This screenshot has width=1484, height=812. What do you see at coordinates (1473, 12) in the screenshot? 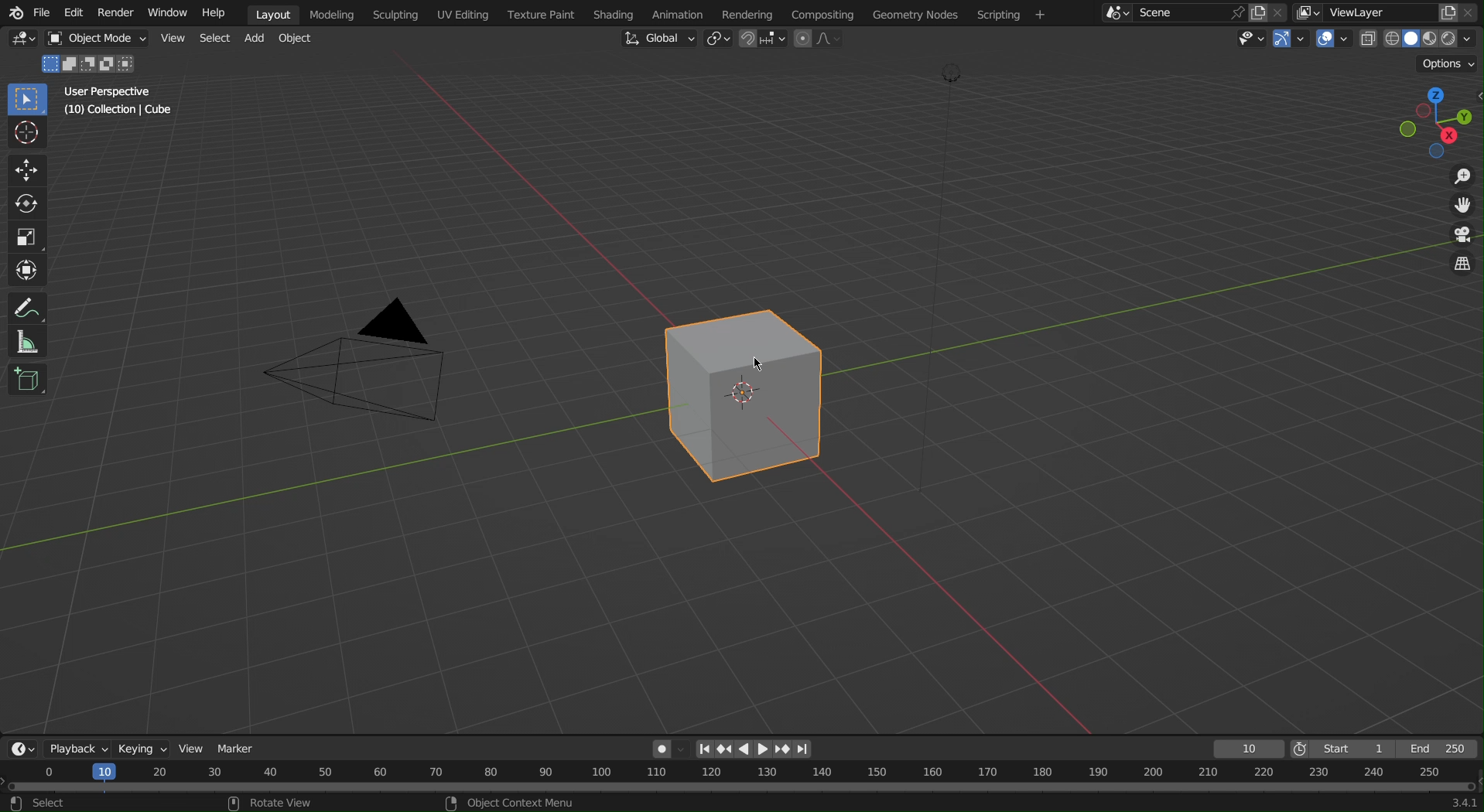
I see `Close` at bounding box center [1473, 12].